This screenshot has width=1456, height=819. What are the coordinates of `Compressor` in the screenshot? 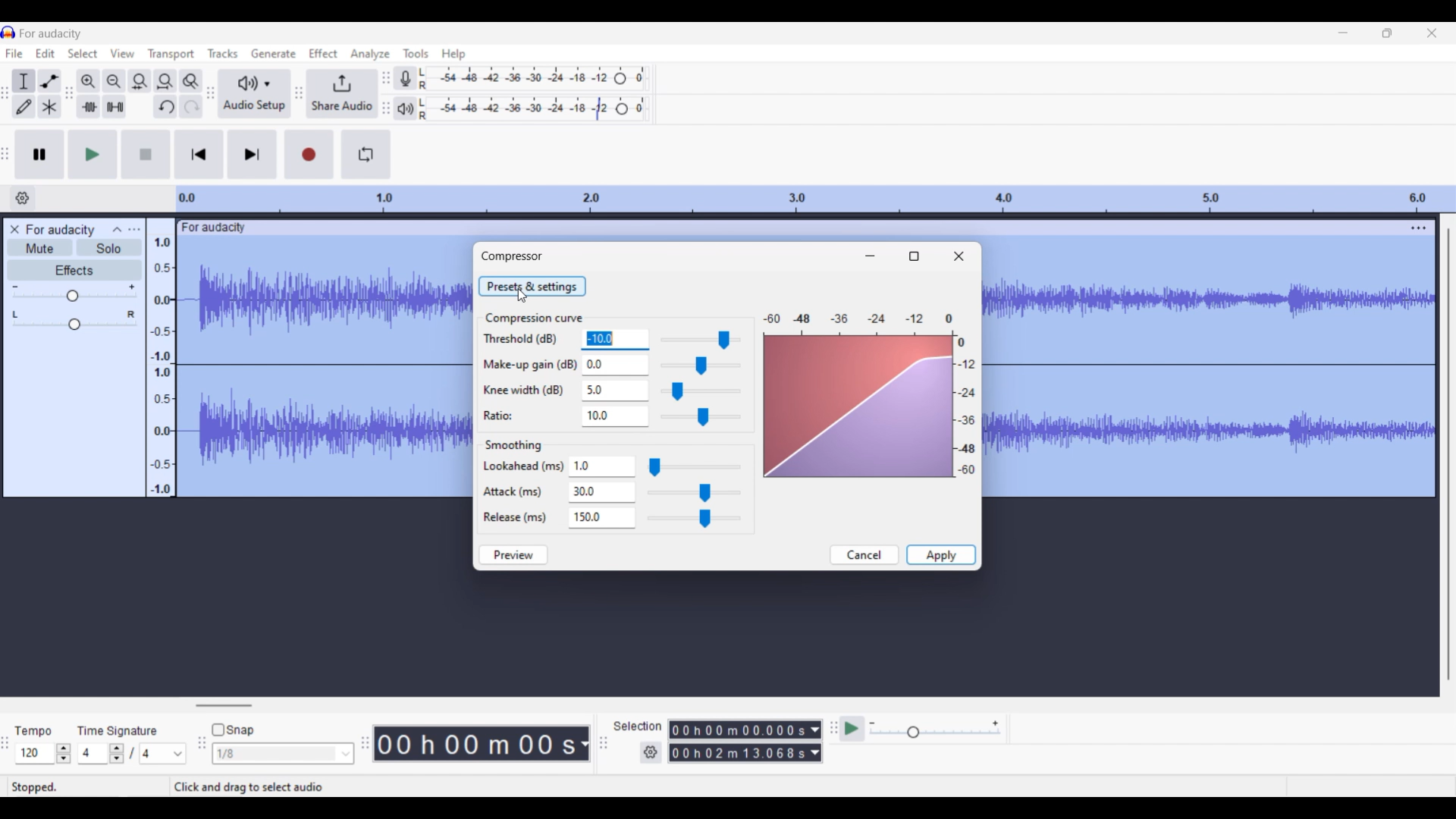 It's located at (512, 256).